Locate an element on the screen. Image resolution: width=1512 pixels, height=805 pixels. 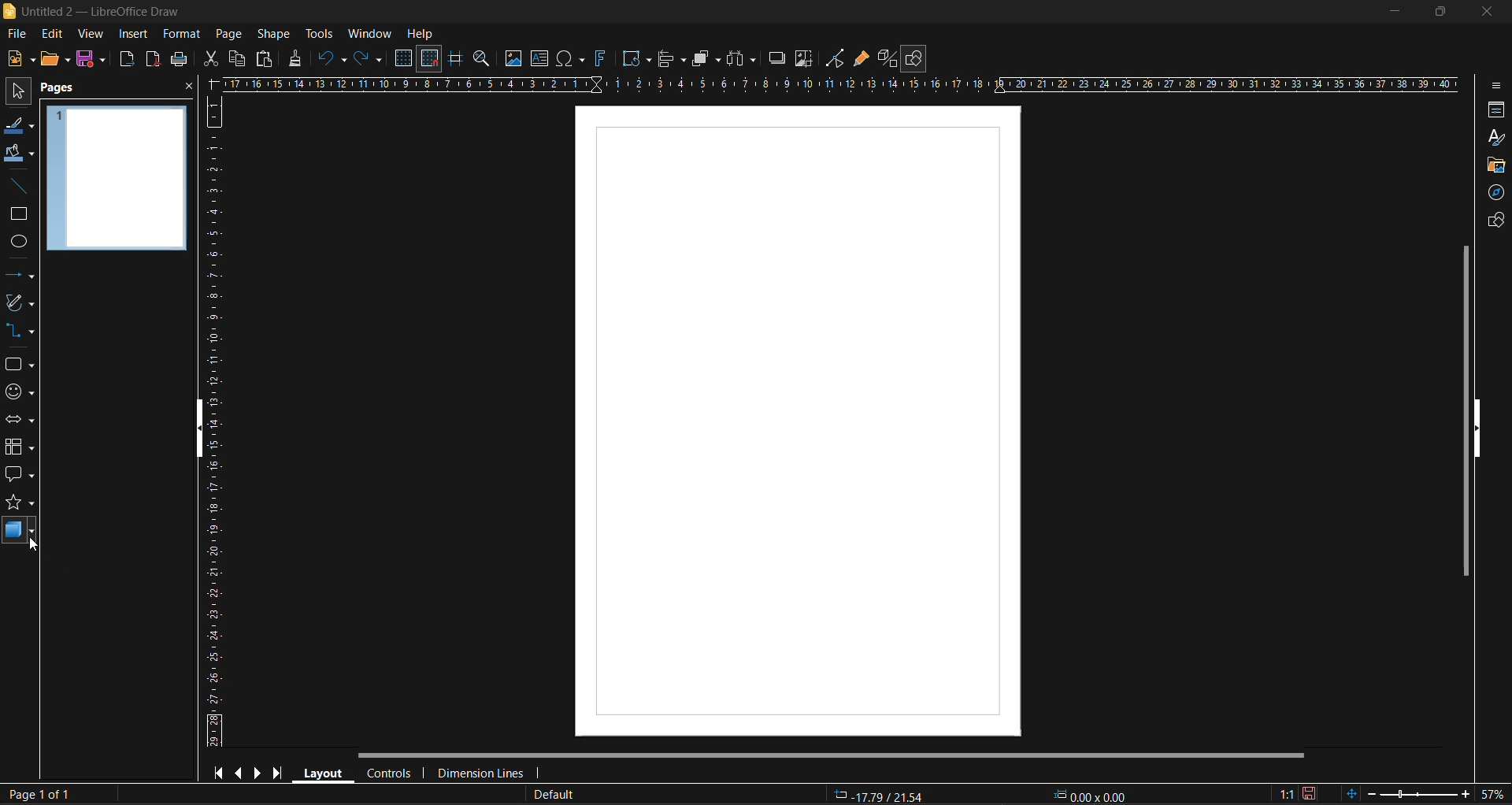
last is located at coordinates (275, 772).